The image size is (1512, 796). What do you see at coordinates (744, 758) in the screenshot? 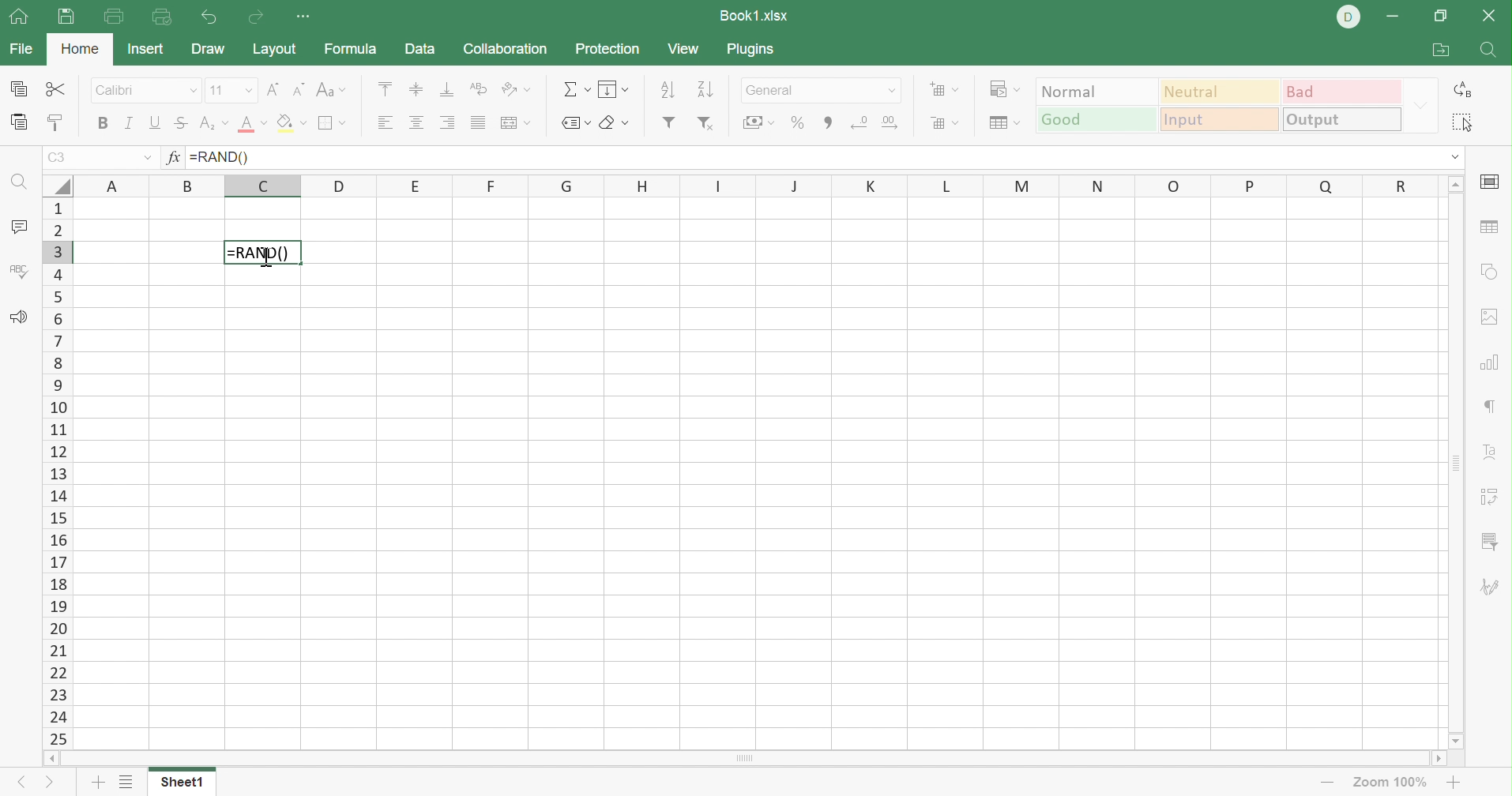
I see `Scroll bar` at bounding box center [744, 758].